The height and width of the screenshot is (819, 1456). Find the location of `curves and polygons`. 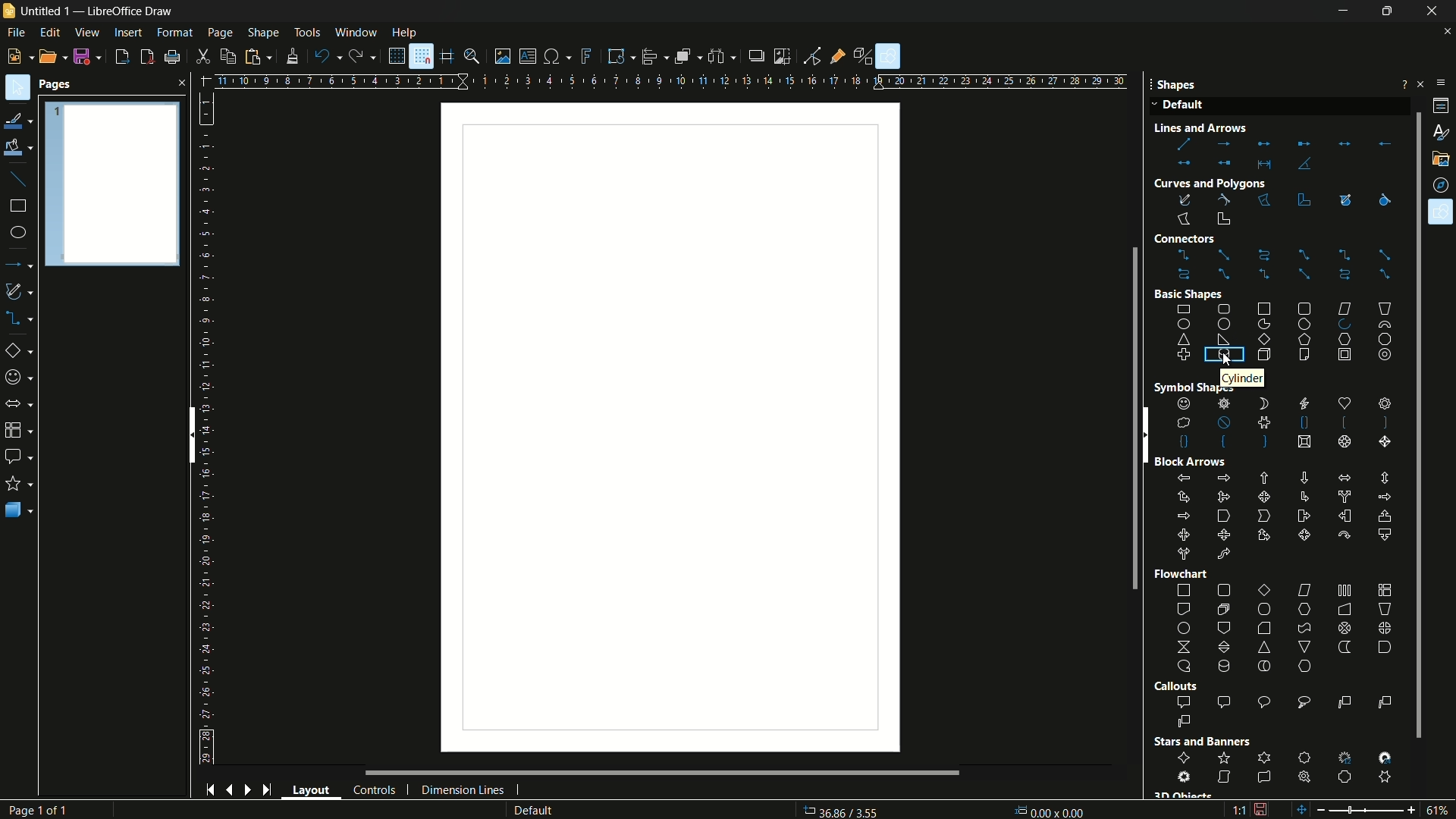

curves and polygons is located at coordinates (1208, 208).